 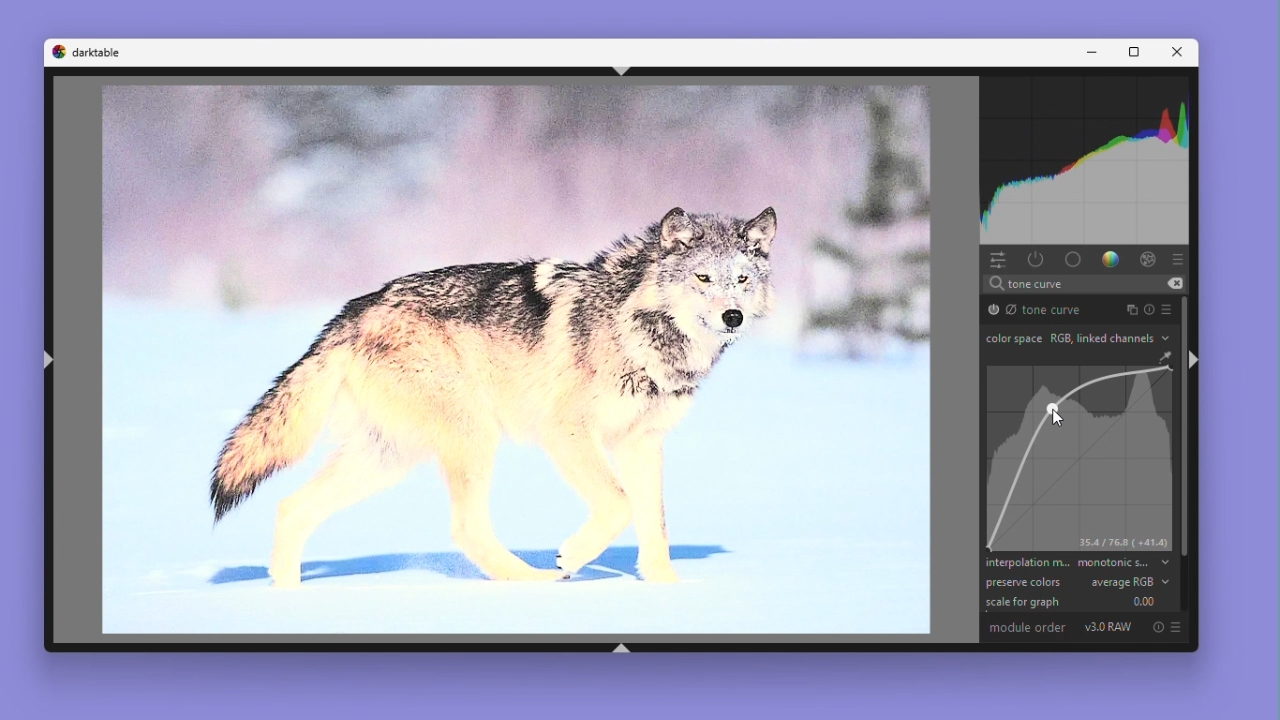 I want to click on shift+ctrl+l, so click(x=49, y=359).